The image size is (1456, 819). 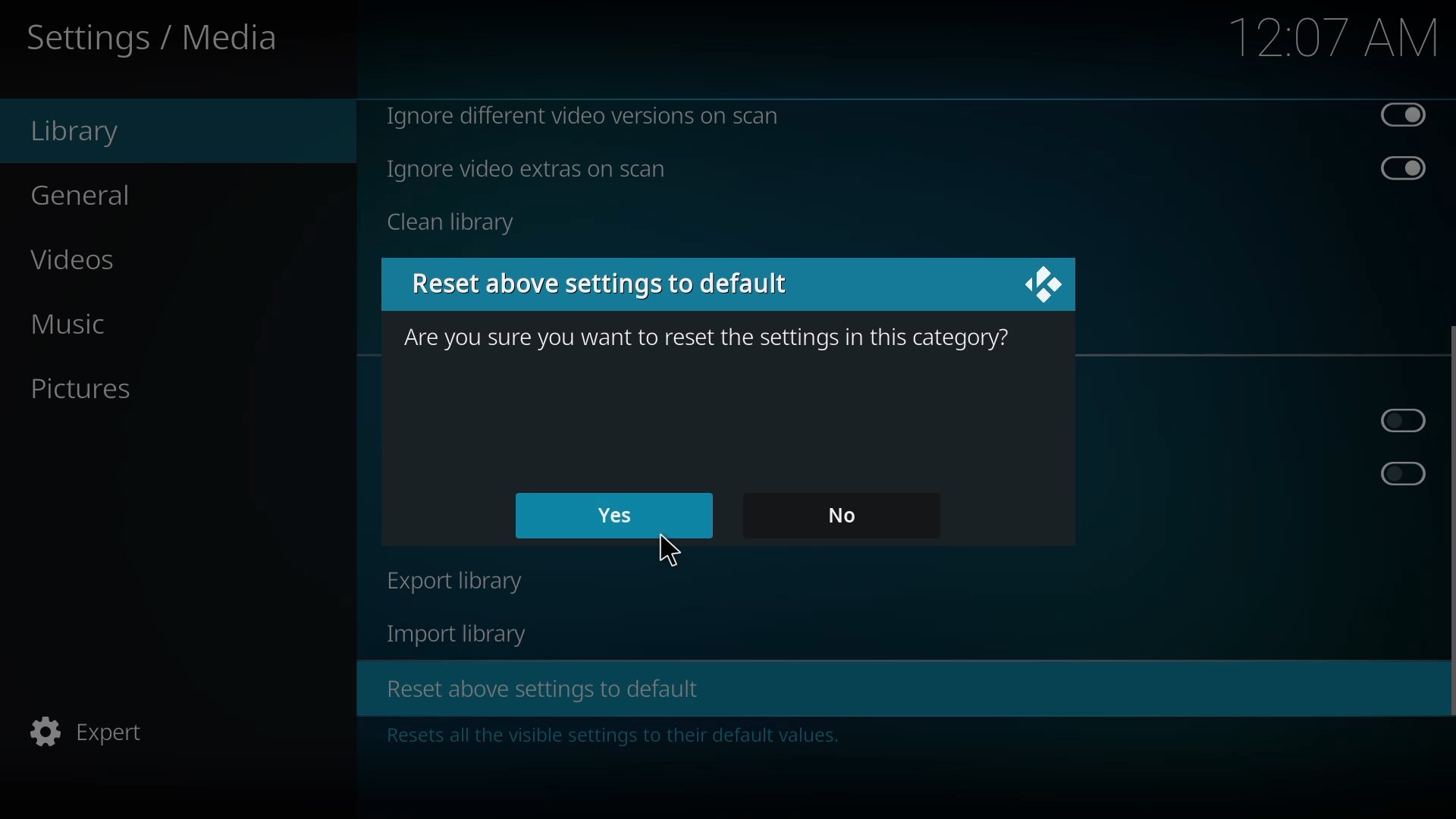 What do you see at coordinates (1045, 285) in the screenshot?
I see `close` at bounding box center [1045, 285].